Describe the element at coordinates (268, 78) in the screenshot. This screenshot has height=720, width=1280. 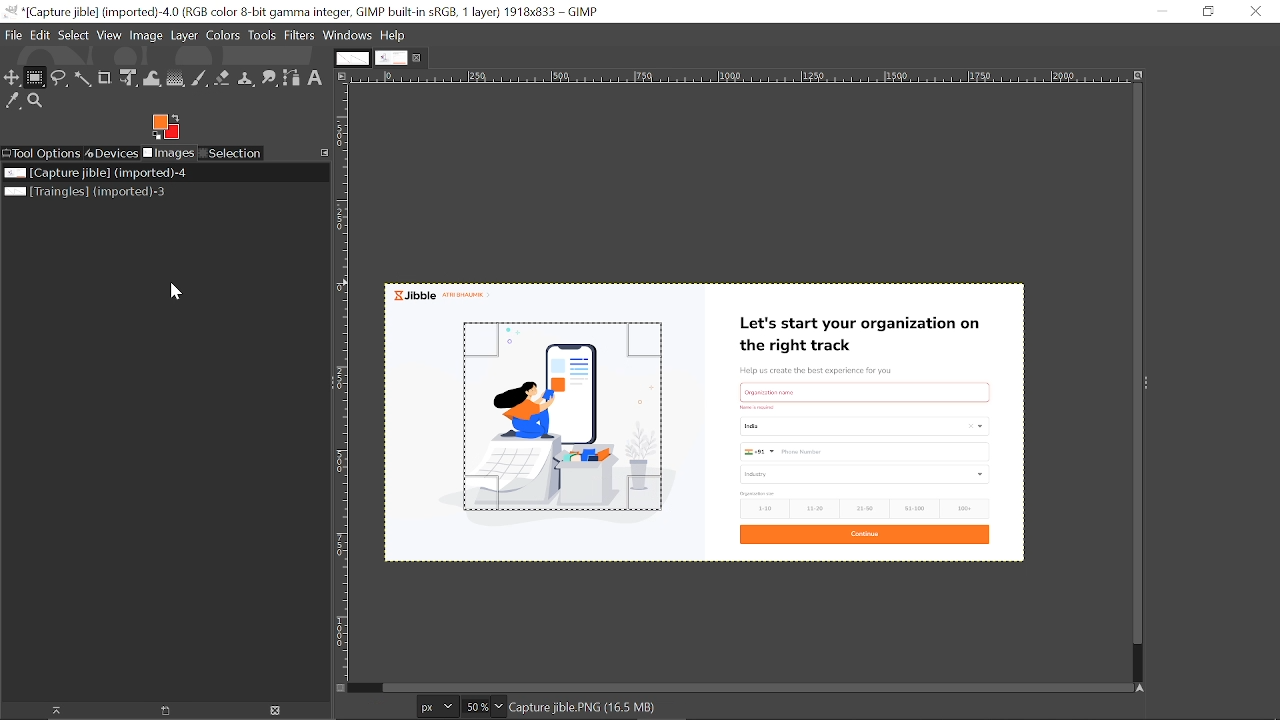
I see `Smudge tool` at that location.